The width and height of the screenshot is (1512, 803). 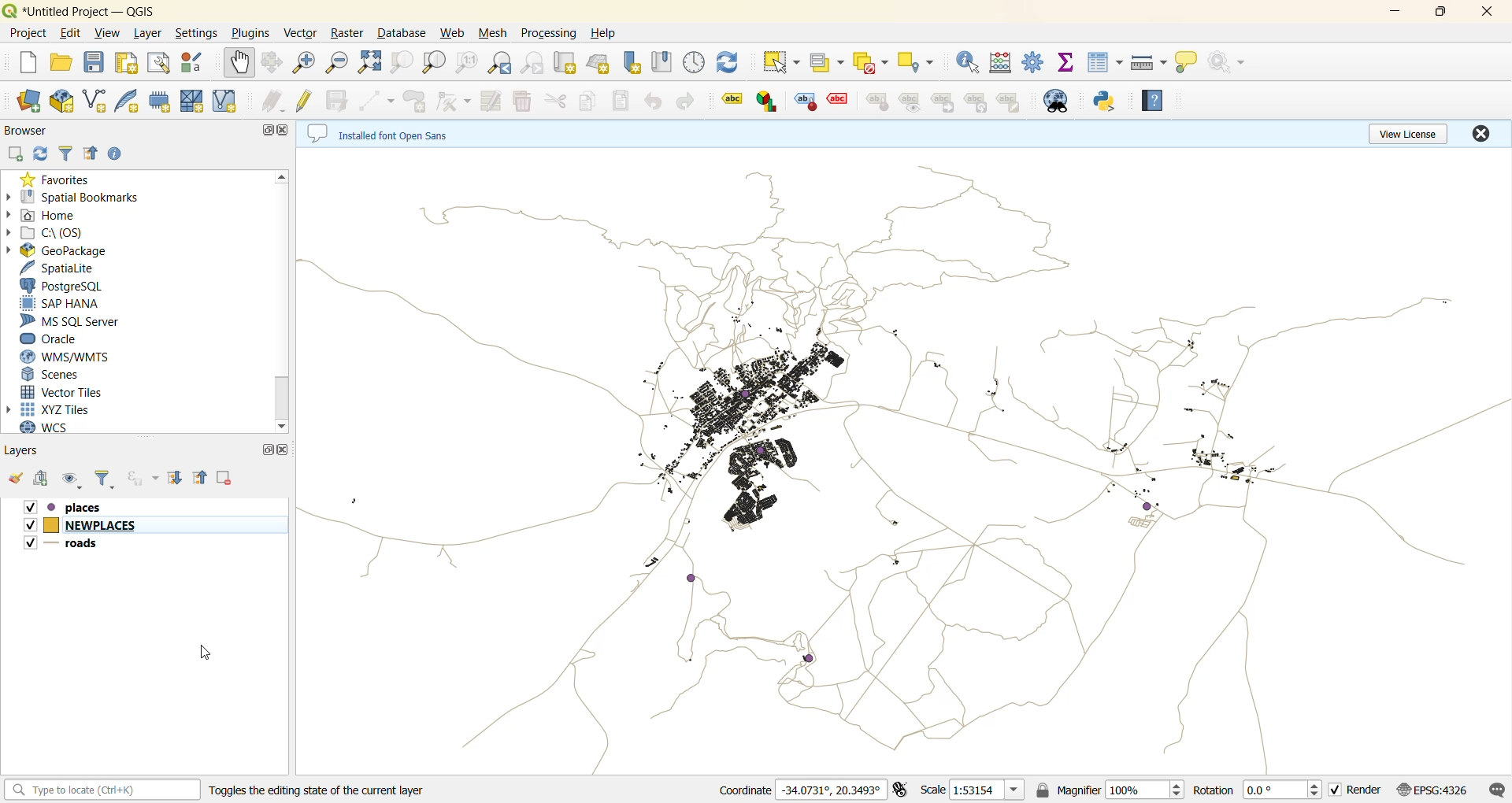 I want to click on digitize, so click(x=378, y=100).